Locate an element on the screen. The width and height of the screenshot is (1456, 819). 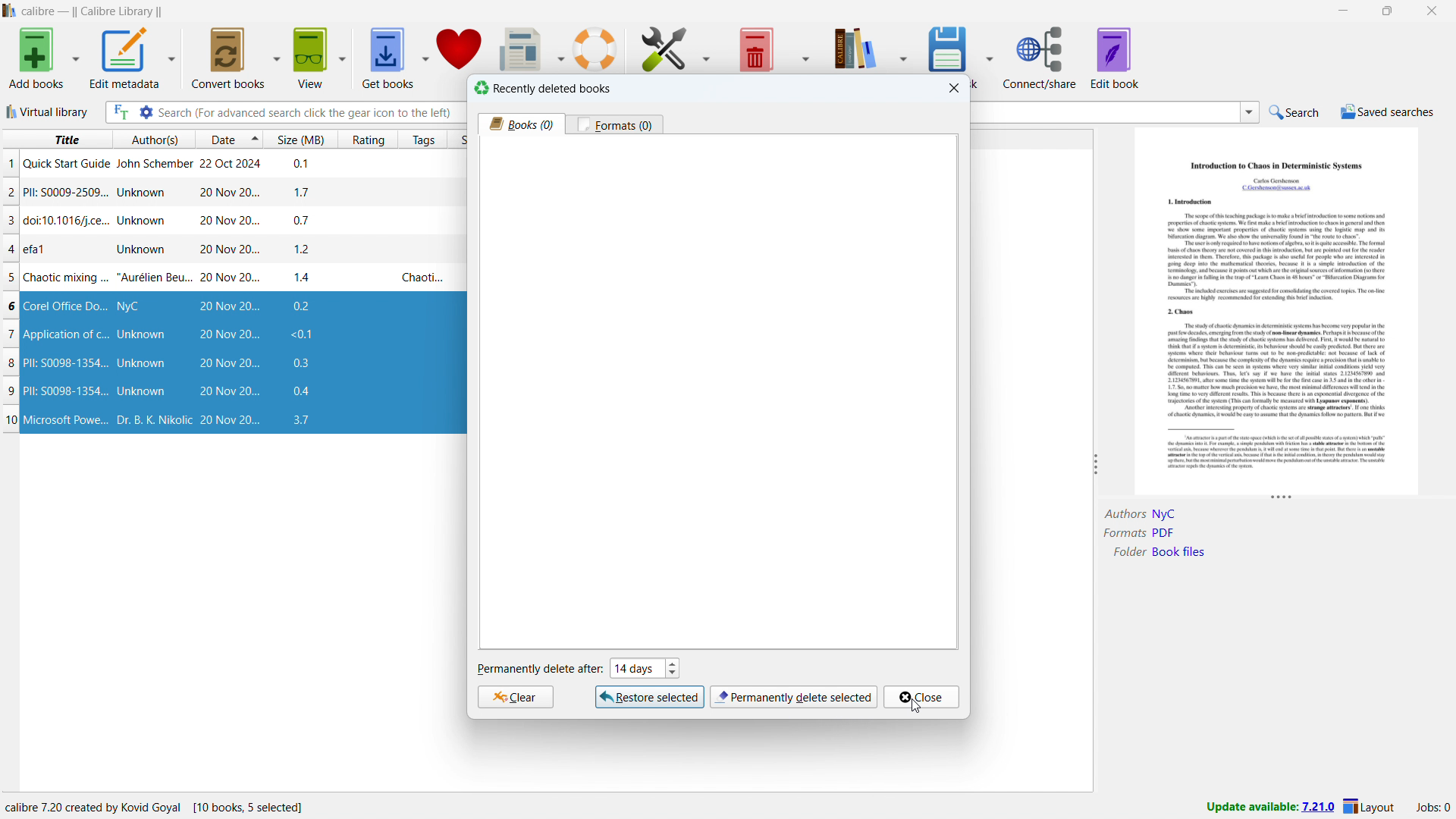
cursor is located at coordinates (917, 705).